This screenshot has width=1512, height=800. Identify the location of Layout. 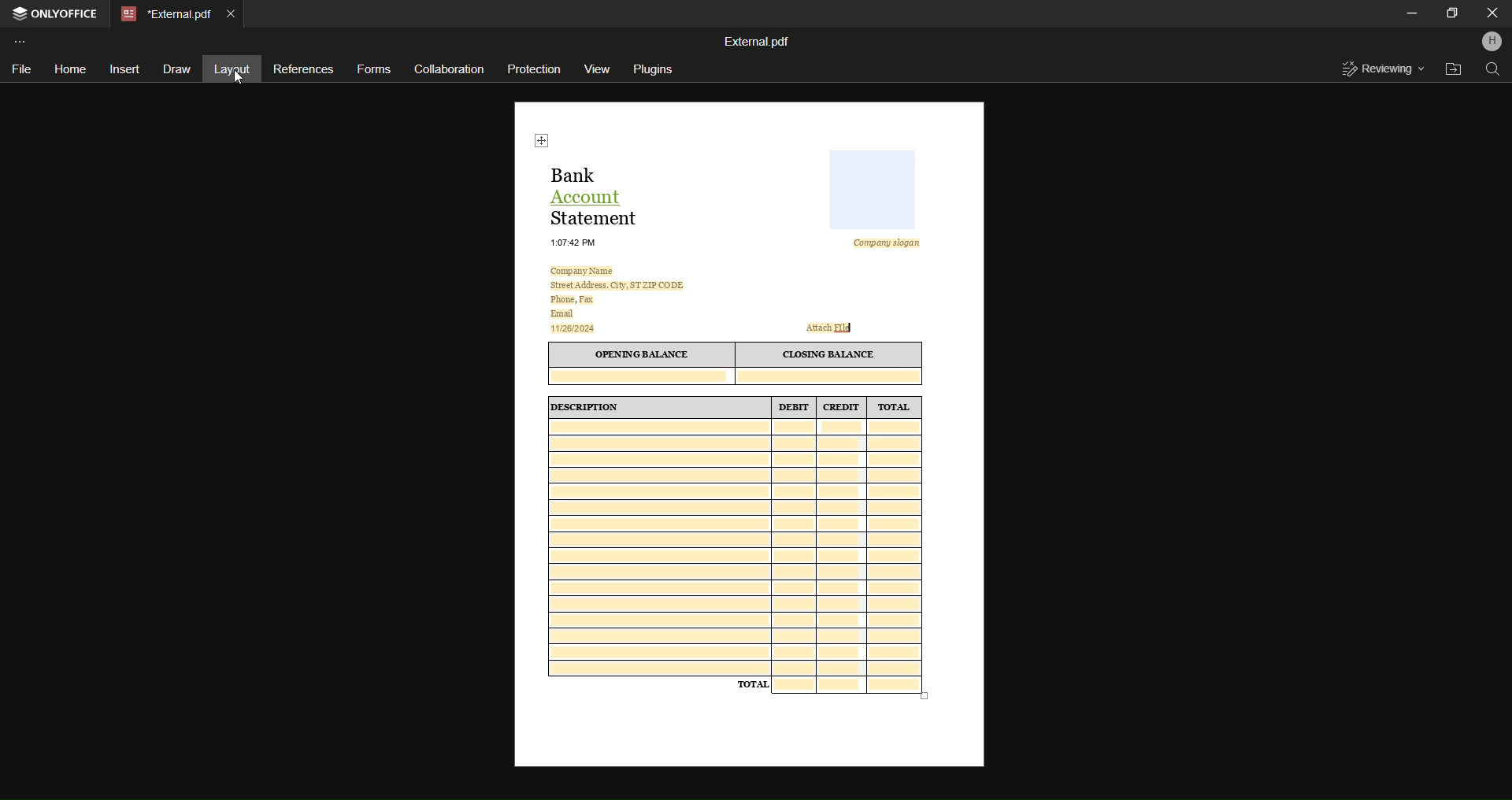
(231, 70).